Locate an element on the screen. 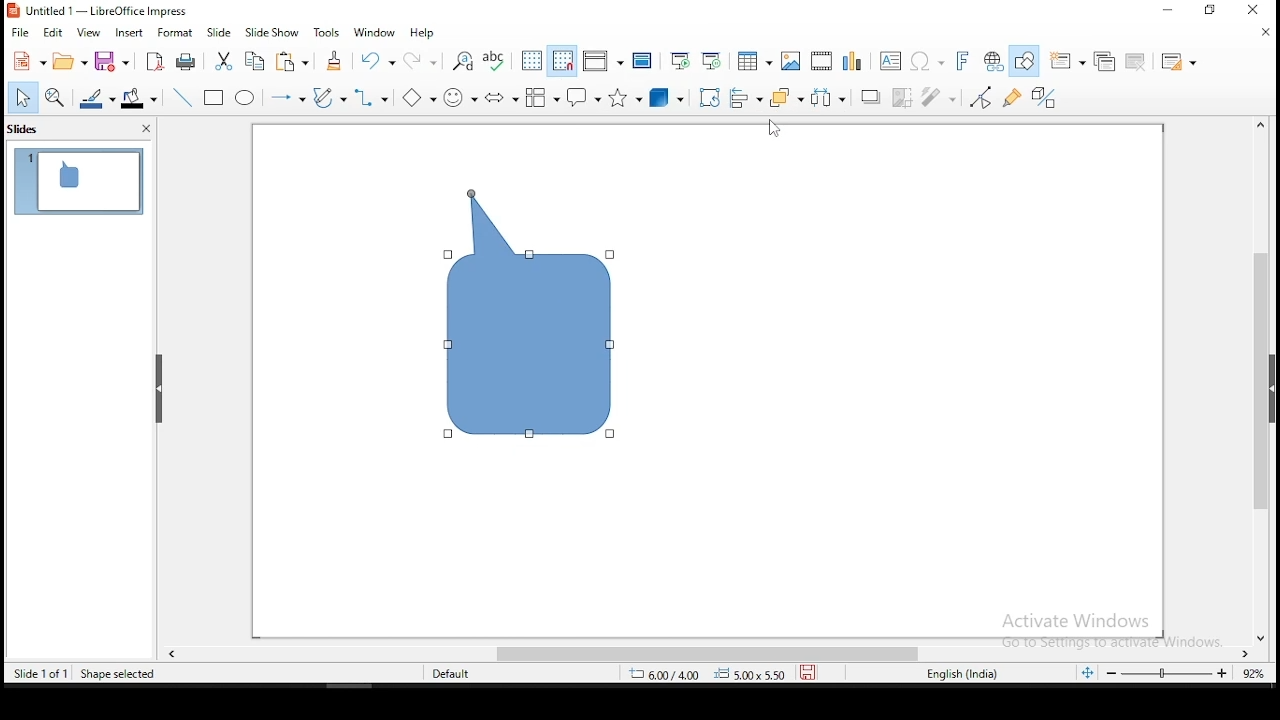 This screenshot has width=1280, height=720. insert audio or video is located at coordinates (819, 61).